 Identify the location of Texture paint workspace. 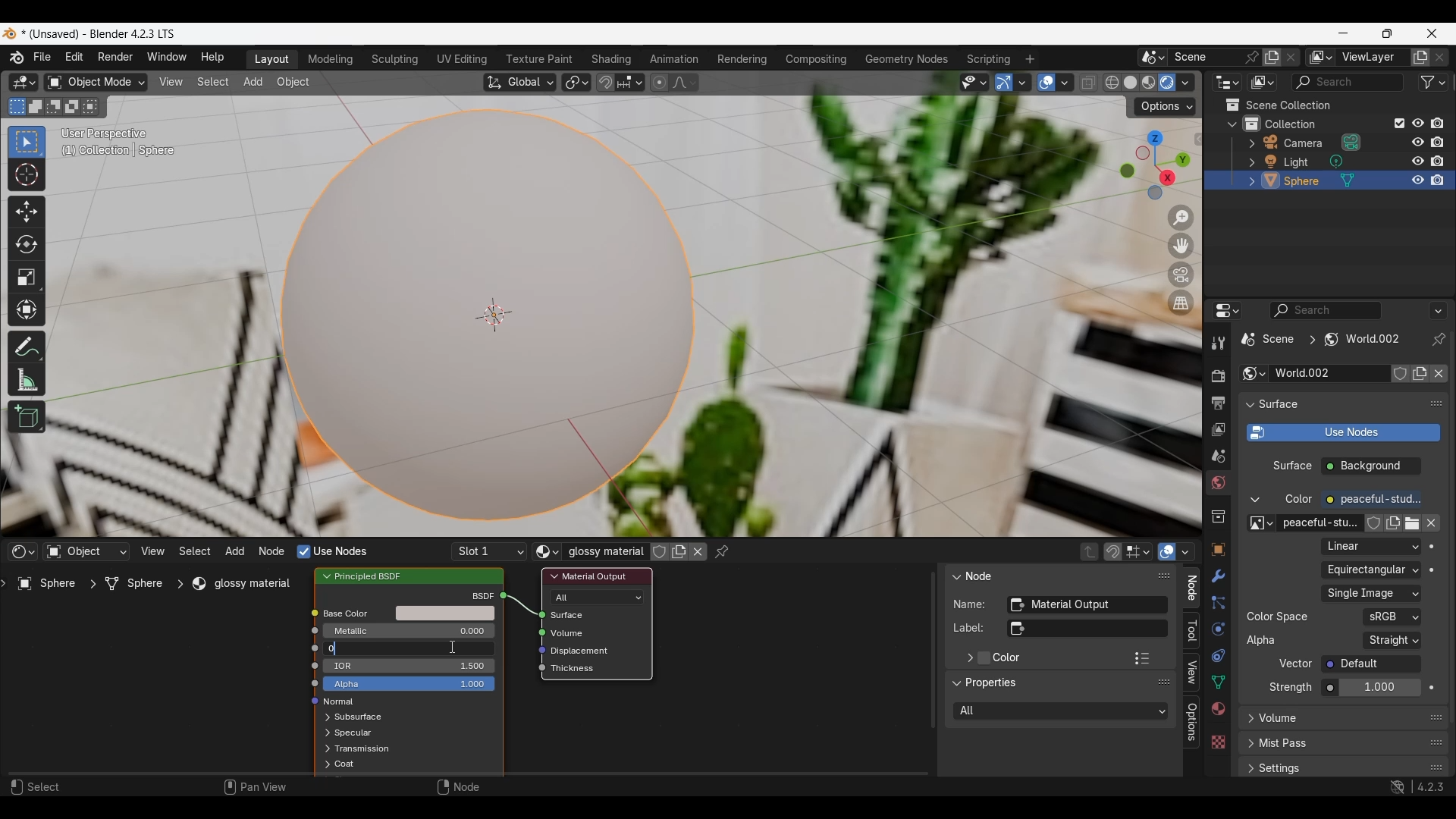
(540, 60).